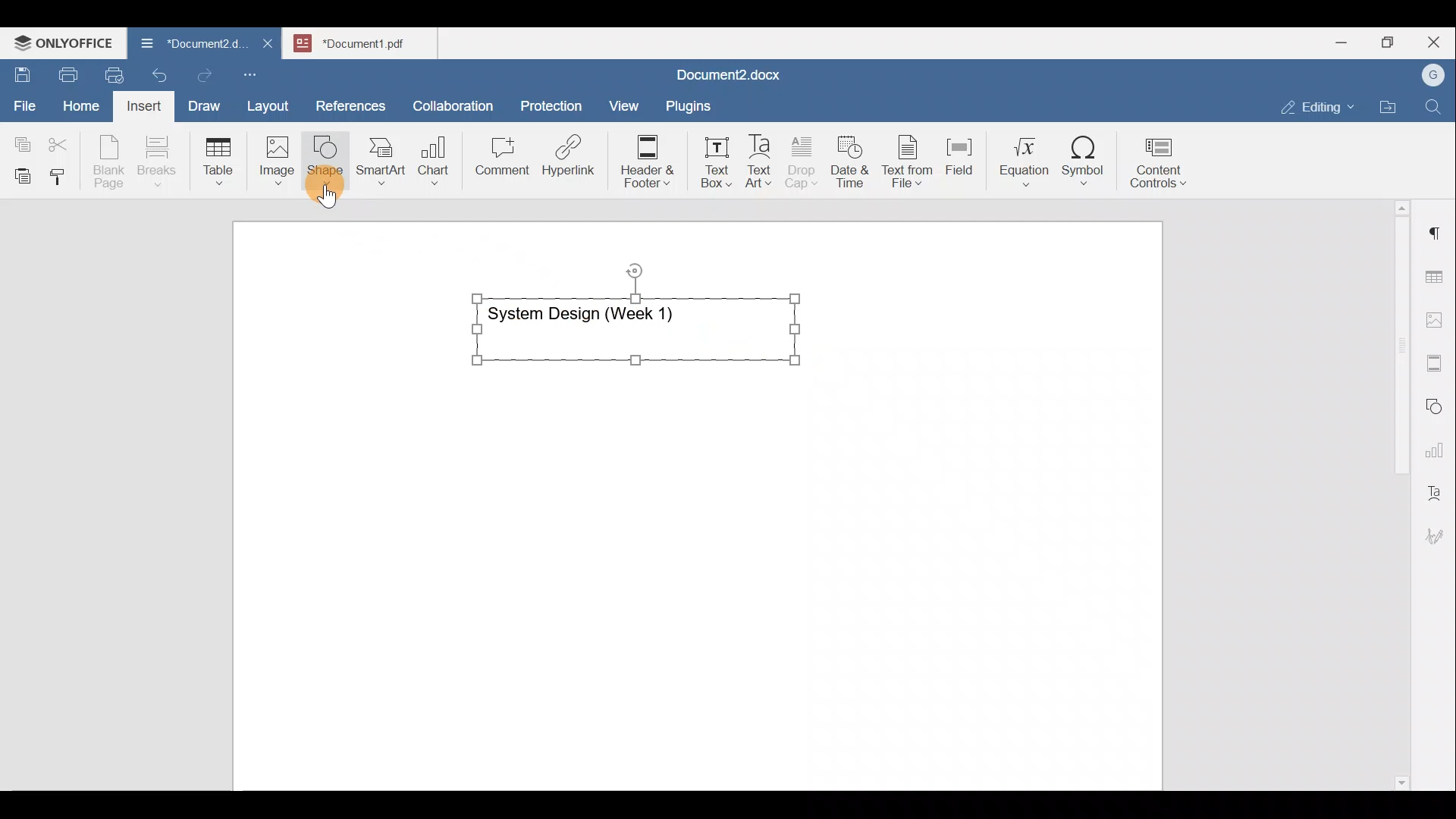 This screenshot has height=819, width=1456. What do you see at coordinates (1429, 76) in the screenshot?
I see `Account name` at bounding box center [1429, 76].